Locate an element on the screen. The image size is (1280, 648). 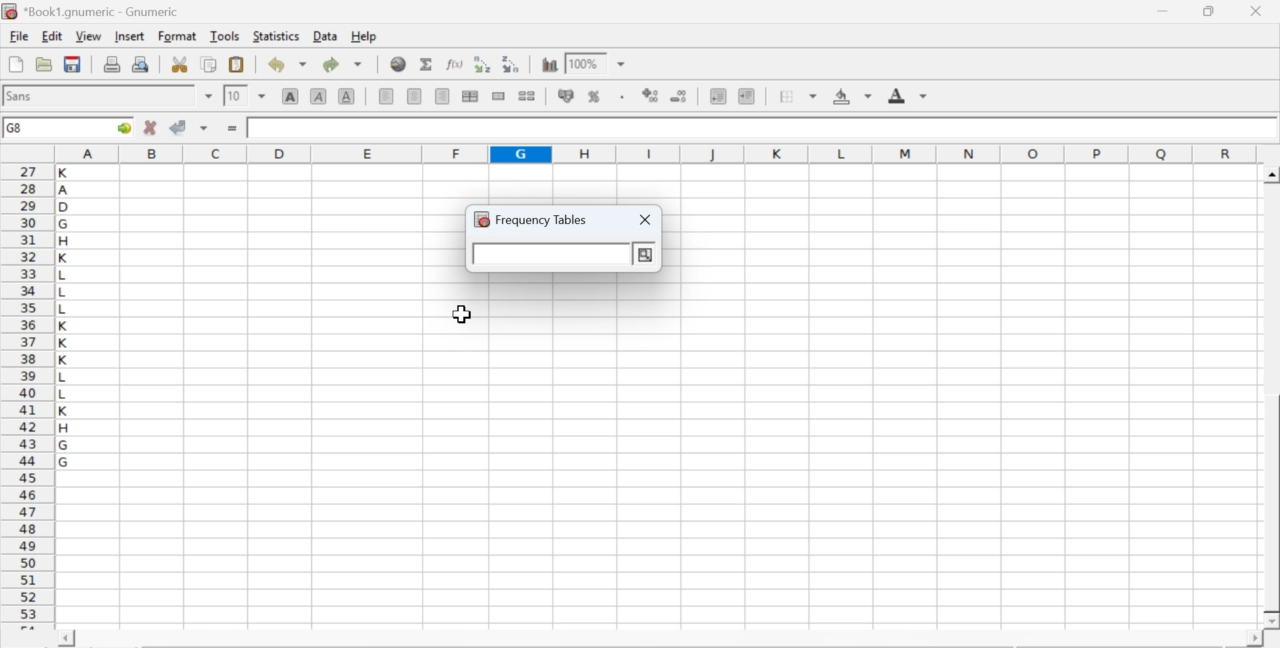
format selection as percentage is located at coordinates (592, 96).